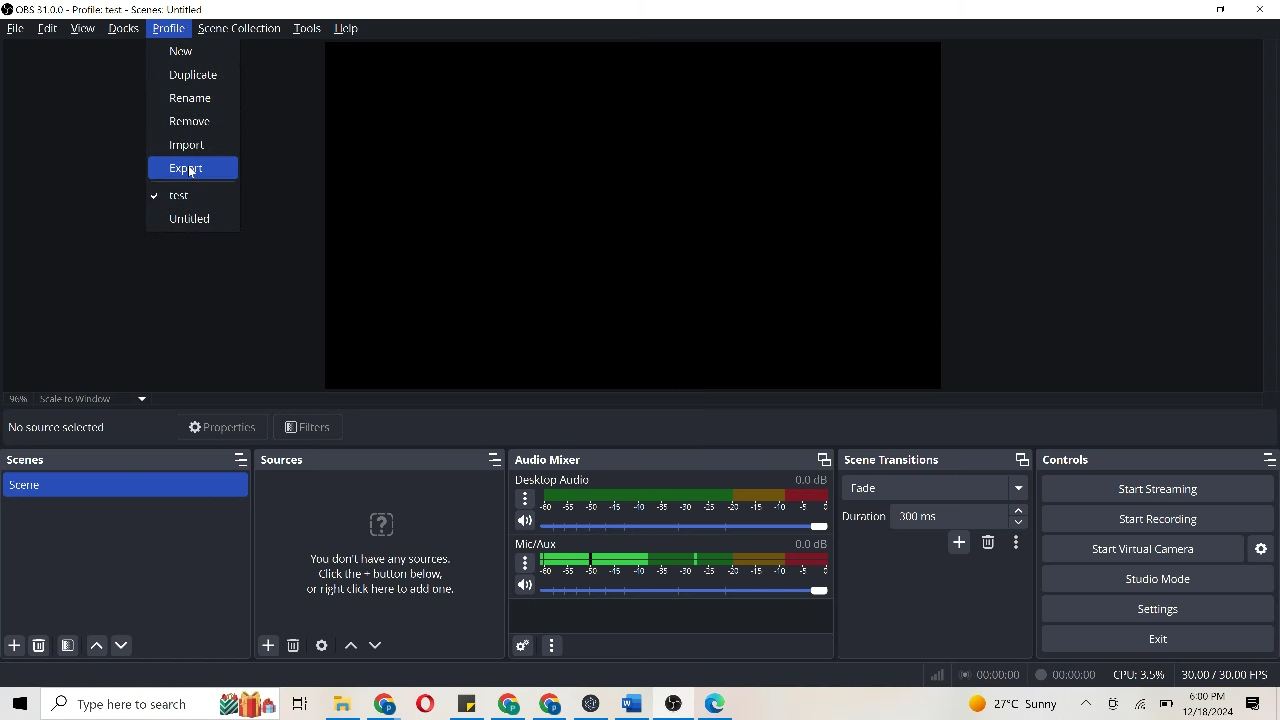 Image resolution: width=1280 pixels, height=720 pixels. Describe the element at coordinates (184, 167) in the screenshot. I see `export` at that location.